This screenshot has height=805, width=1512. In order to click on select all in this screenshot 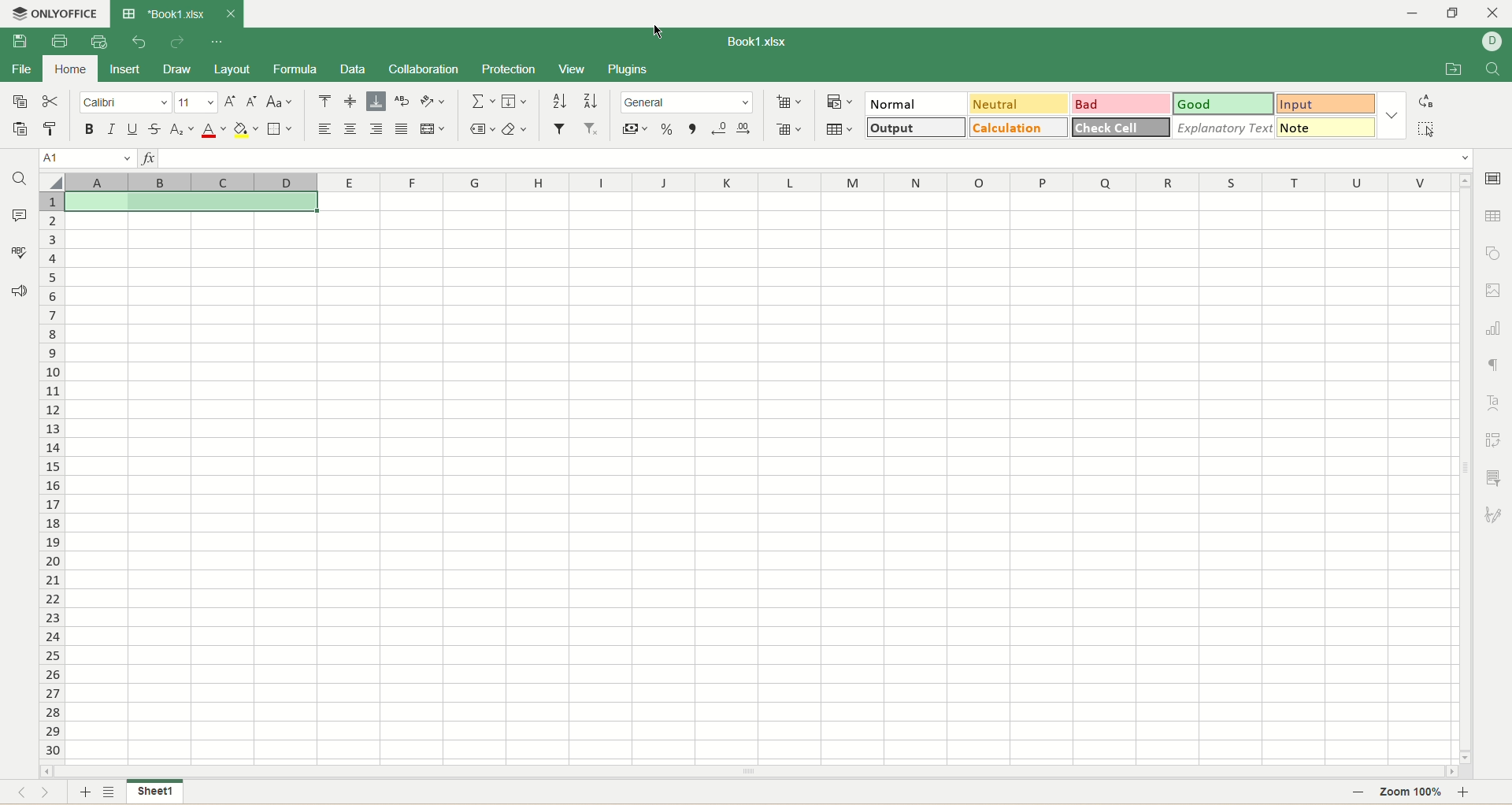, I will do `click(53, 180)`.